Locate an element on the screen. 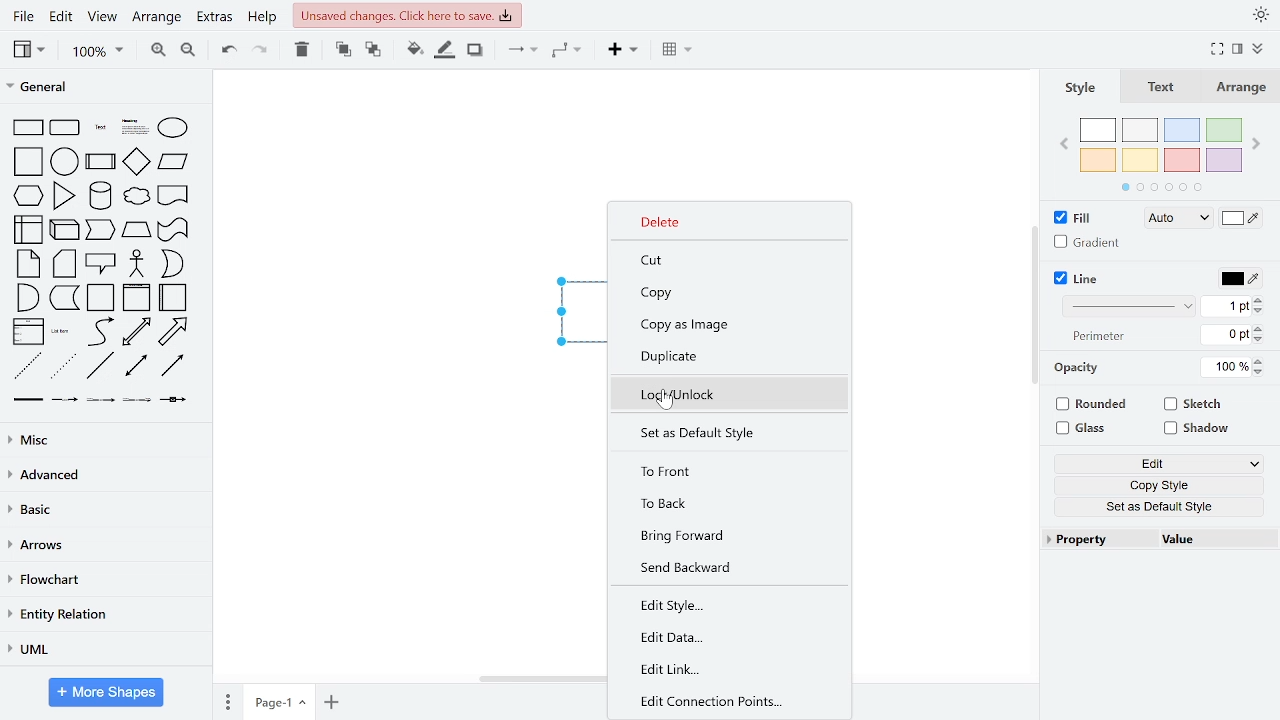 Image resolution: width=1280 pixels, height=720 pixels. Bring forward is located at coordinates (722, 535).